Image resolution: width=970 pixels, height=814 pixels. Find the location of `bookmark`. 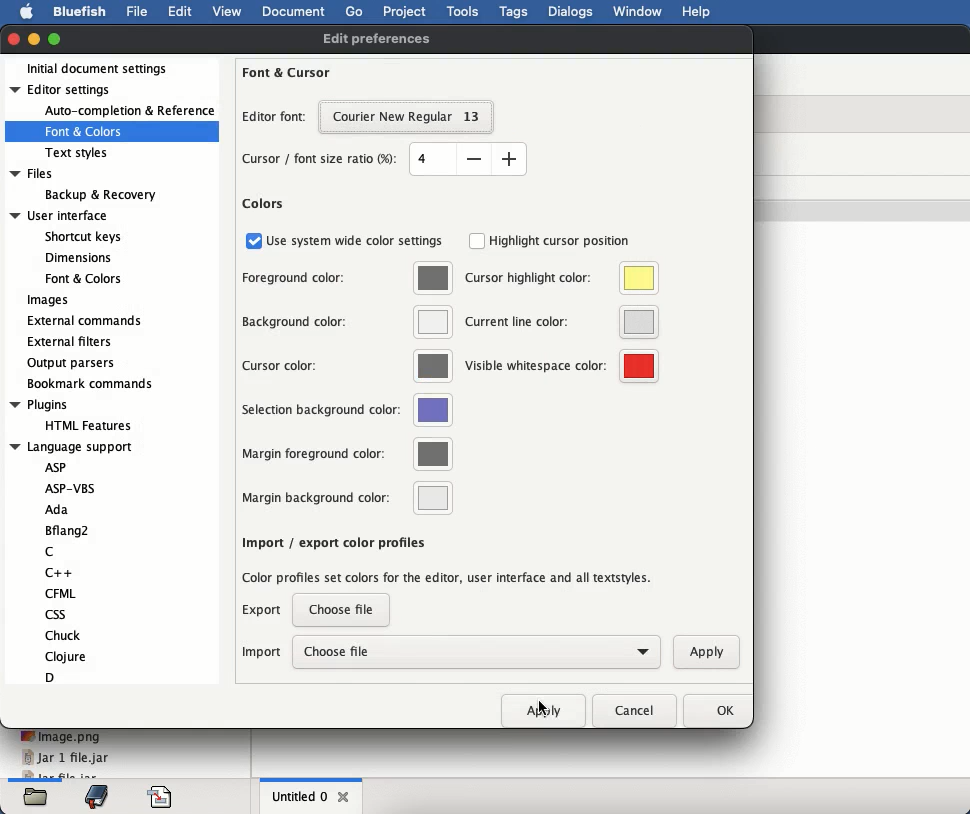

bookmark is located at coordinates (96, 796).